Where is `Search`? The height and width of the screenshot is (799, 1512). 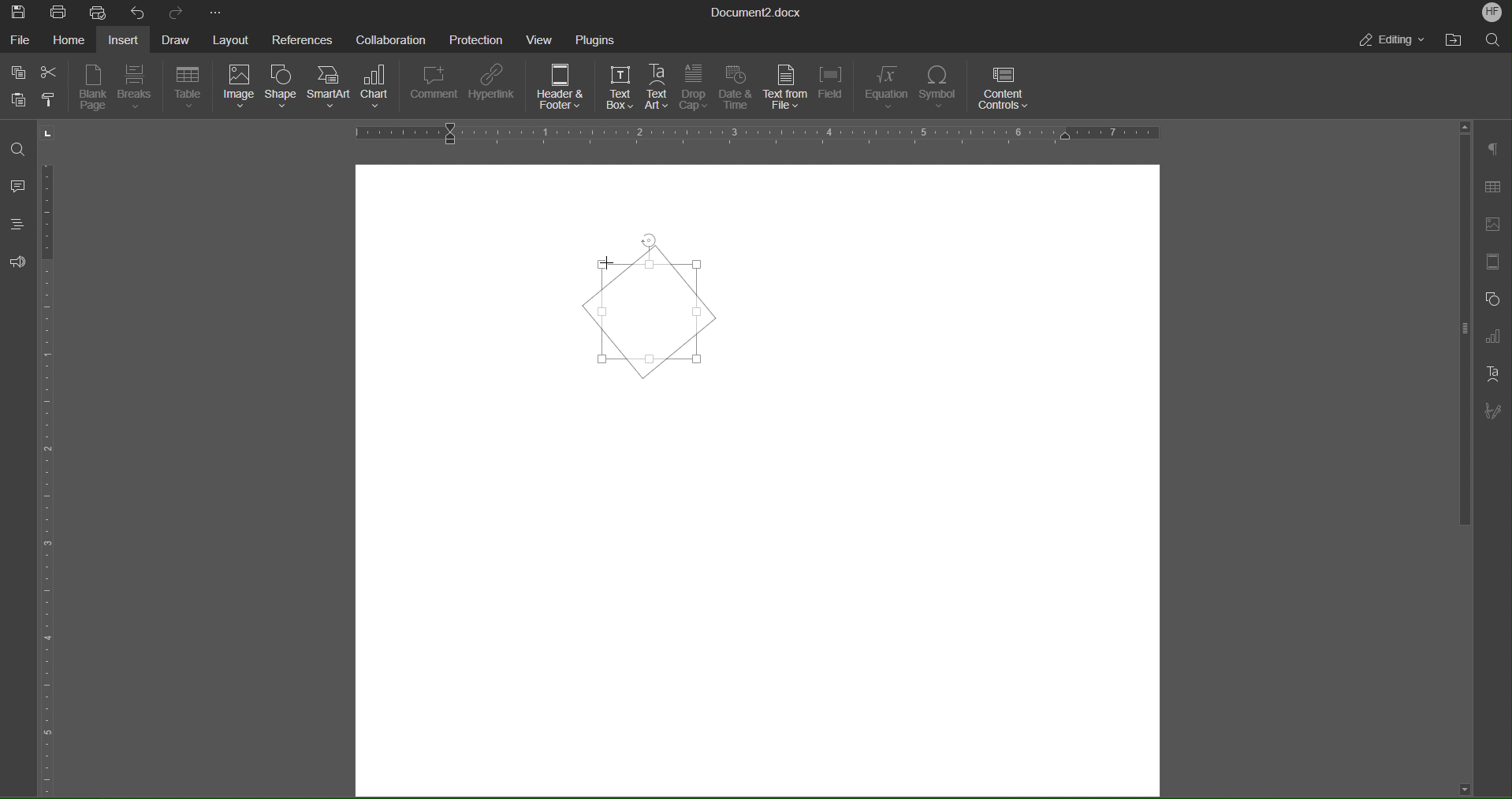
Search is located at coordinates (1493, 39).